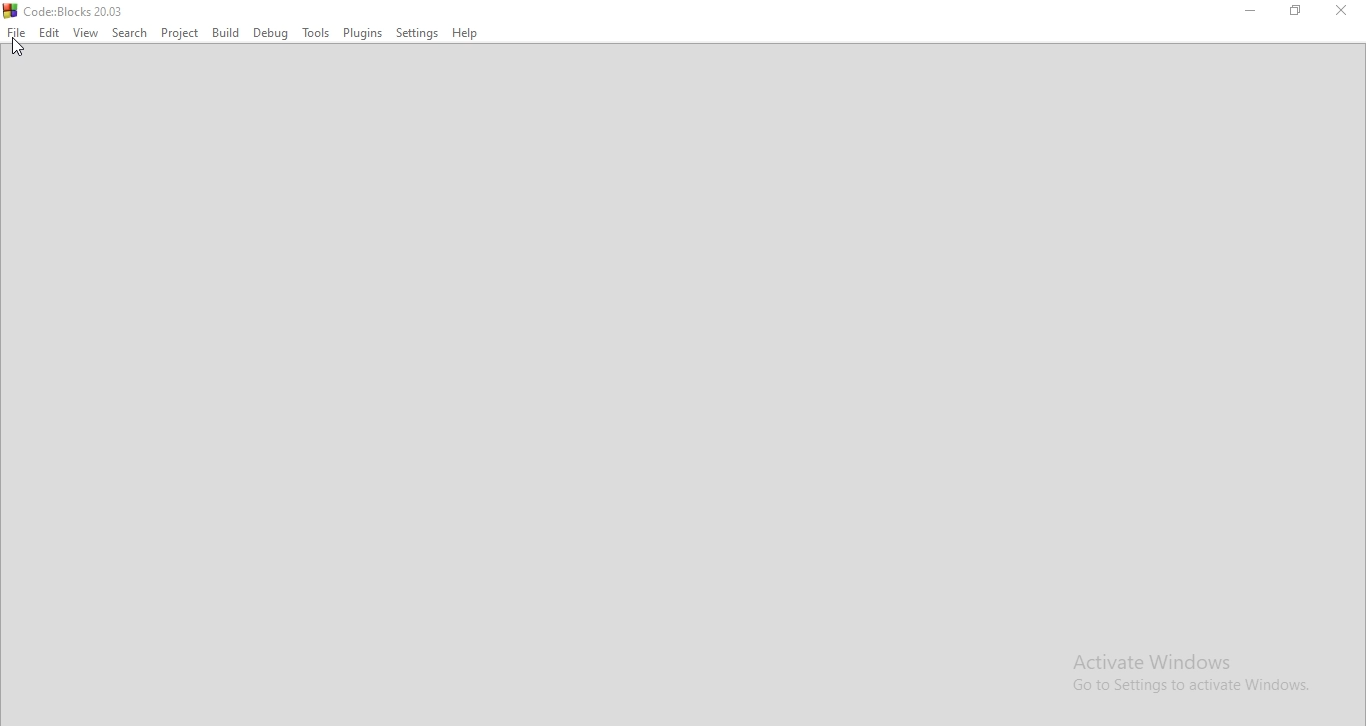 Image resolution: width=1366 pixels, height=726 pixels. I want to click on View , so click(85, 32).